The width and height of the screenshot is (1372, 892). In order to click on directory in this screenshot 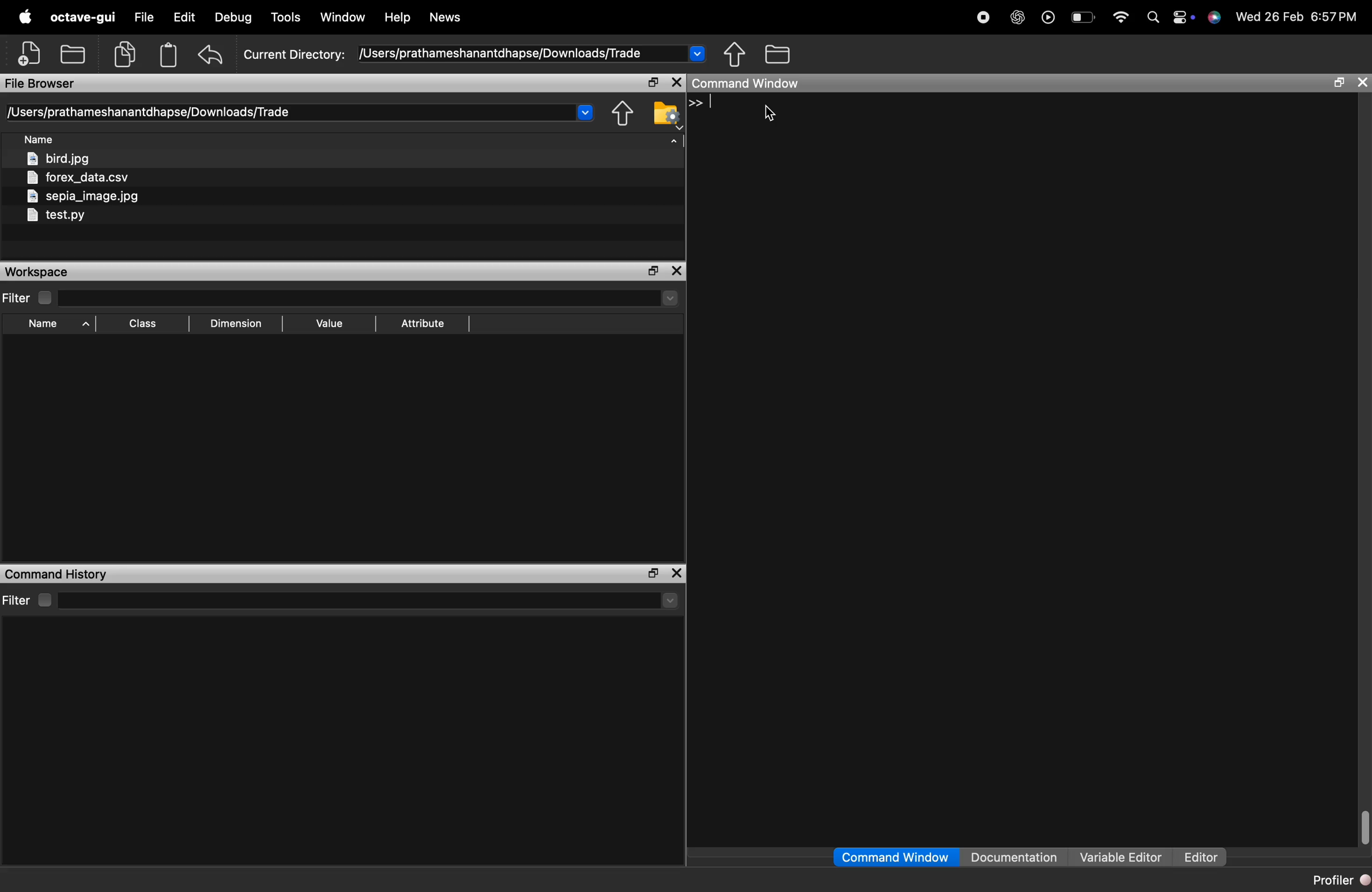, I will do `click(301, 113)`.